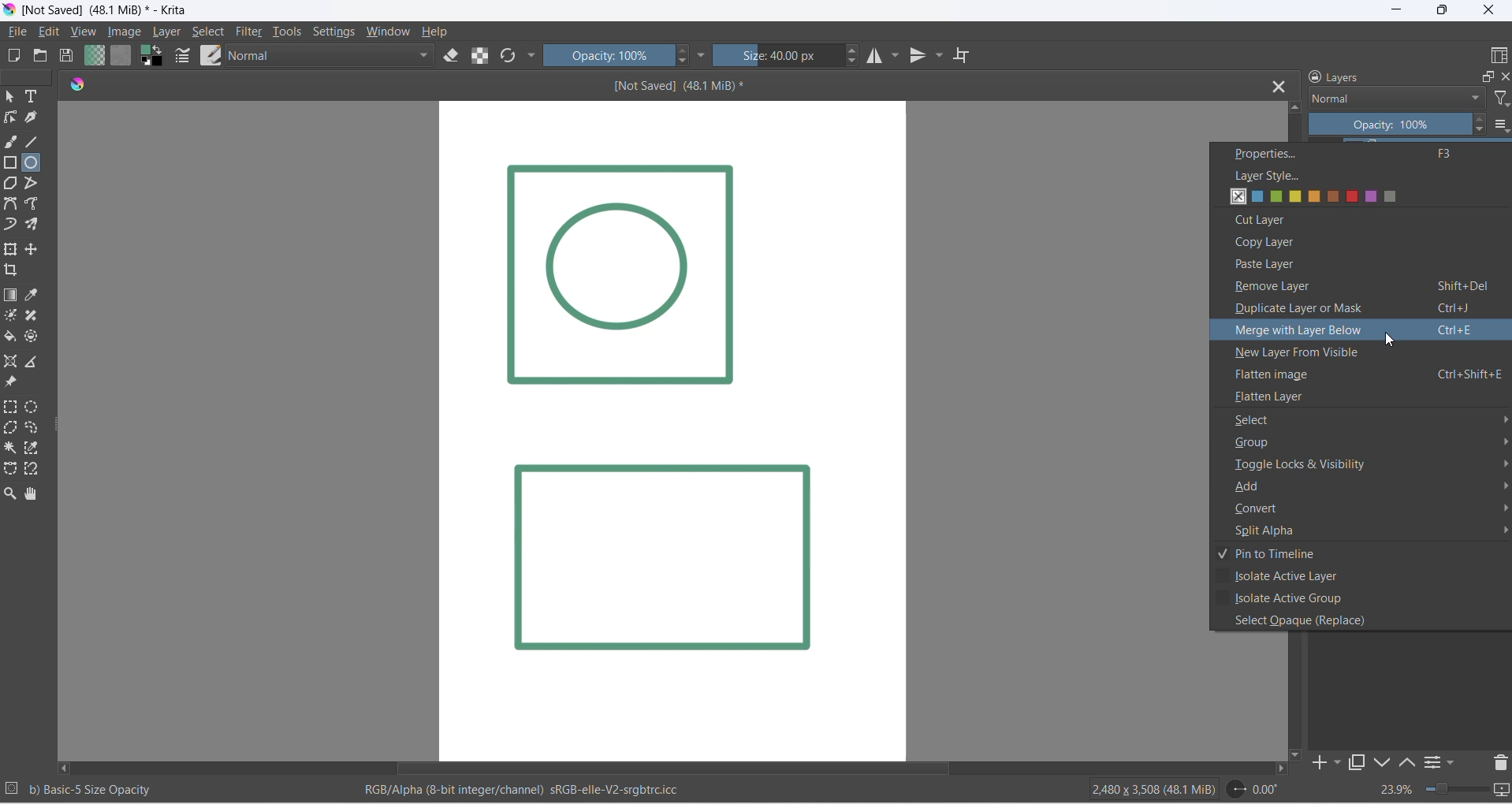 This screenshot has width=1512, height=804. Describe the element at coordinates (1357, 511) in the screenshot. I see `convert` at that location.